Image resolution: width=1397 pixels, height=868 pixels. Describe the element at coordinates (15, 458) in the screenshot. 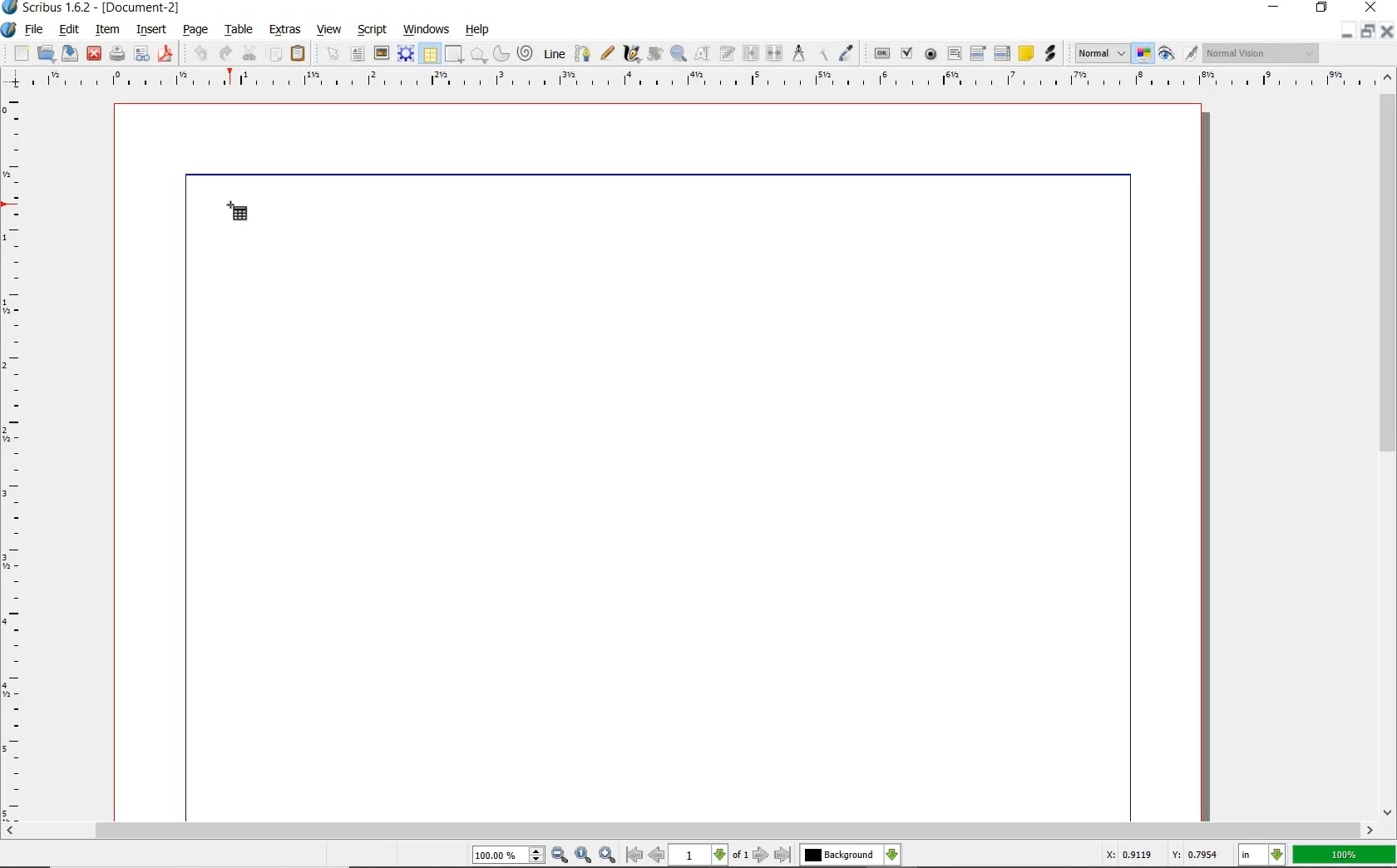

I see `ruler` at that location.